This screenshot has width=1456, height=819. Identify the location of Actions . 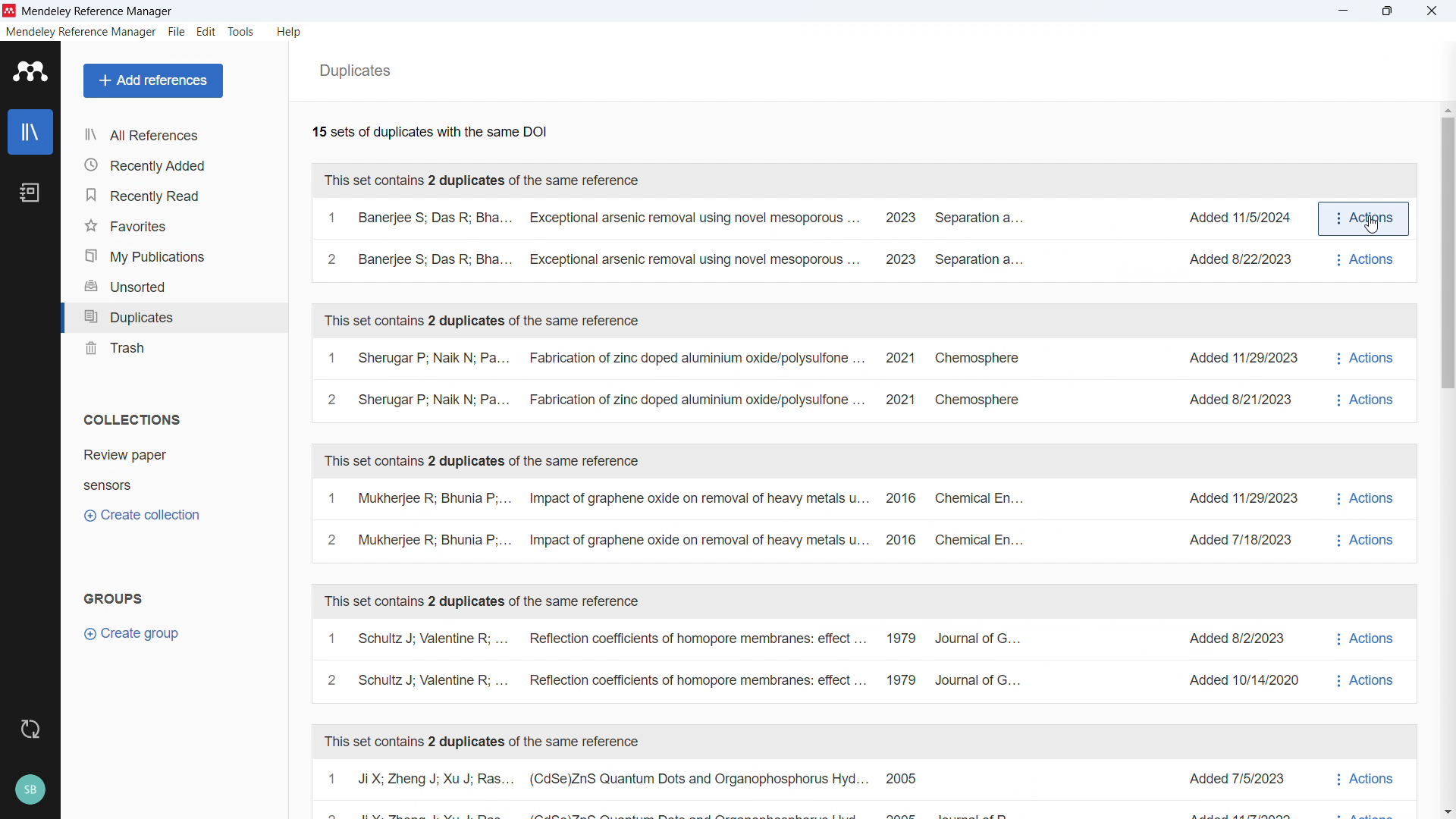
(1360, 376).